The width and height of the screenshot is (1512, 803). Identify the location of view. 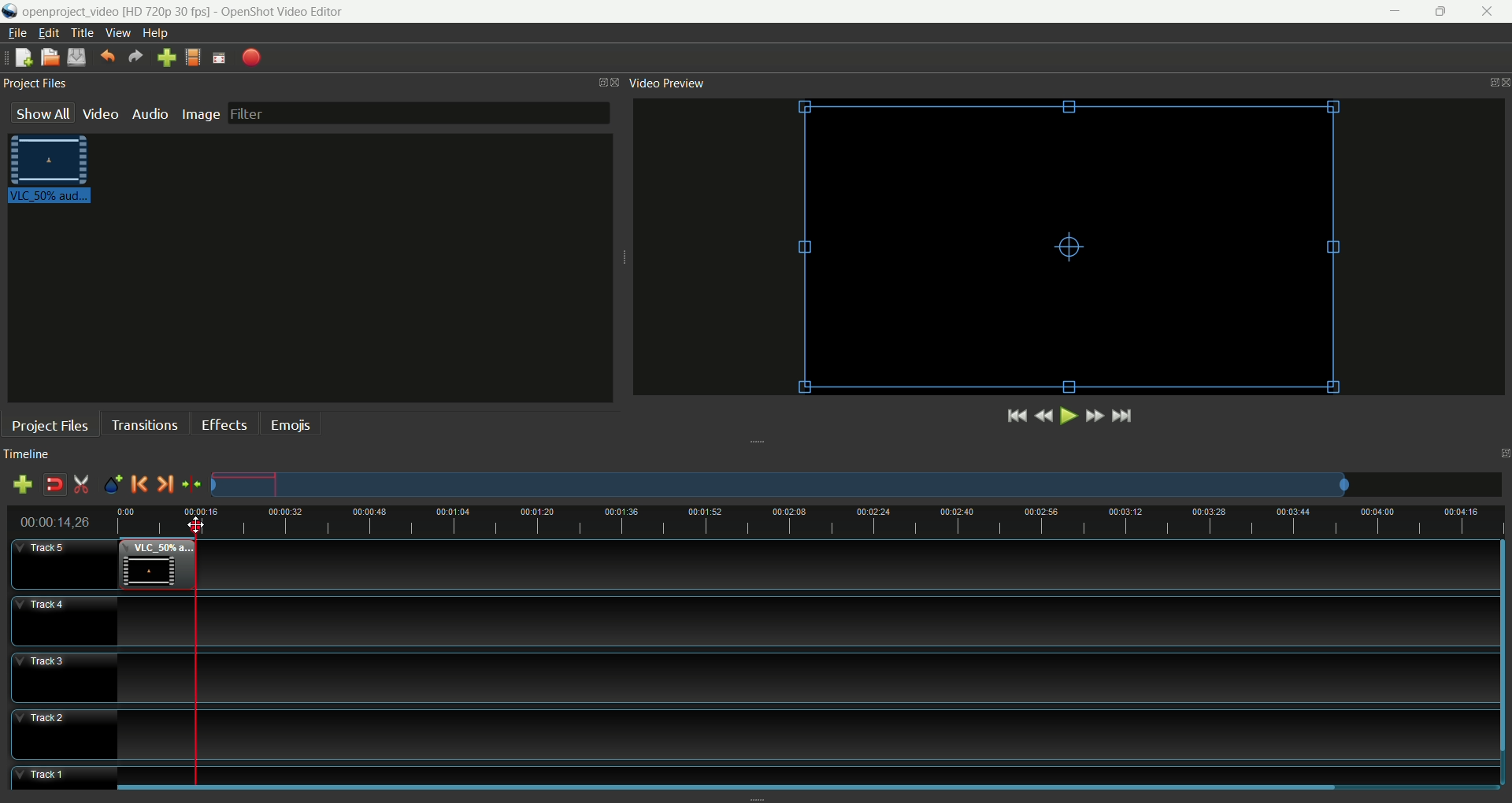
(117, 34).